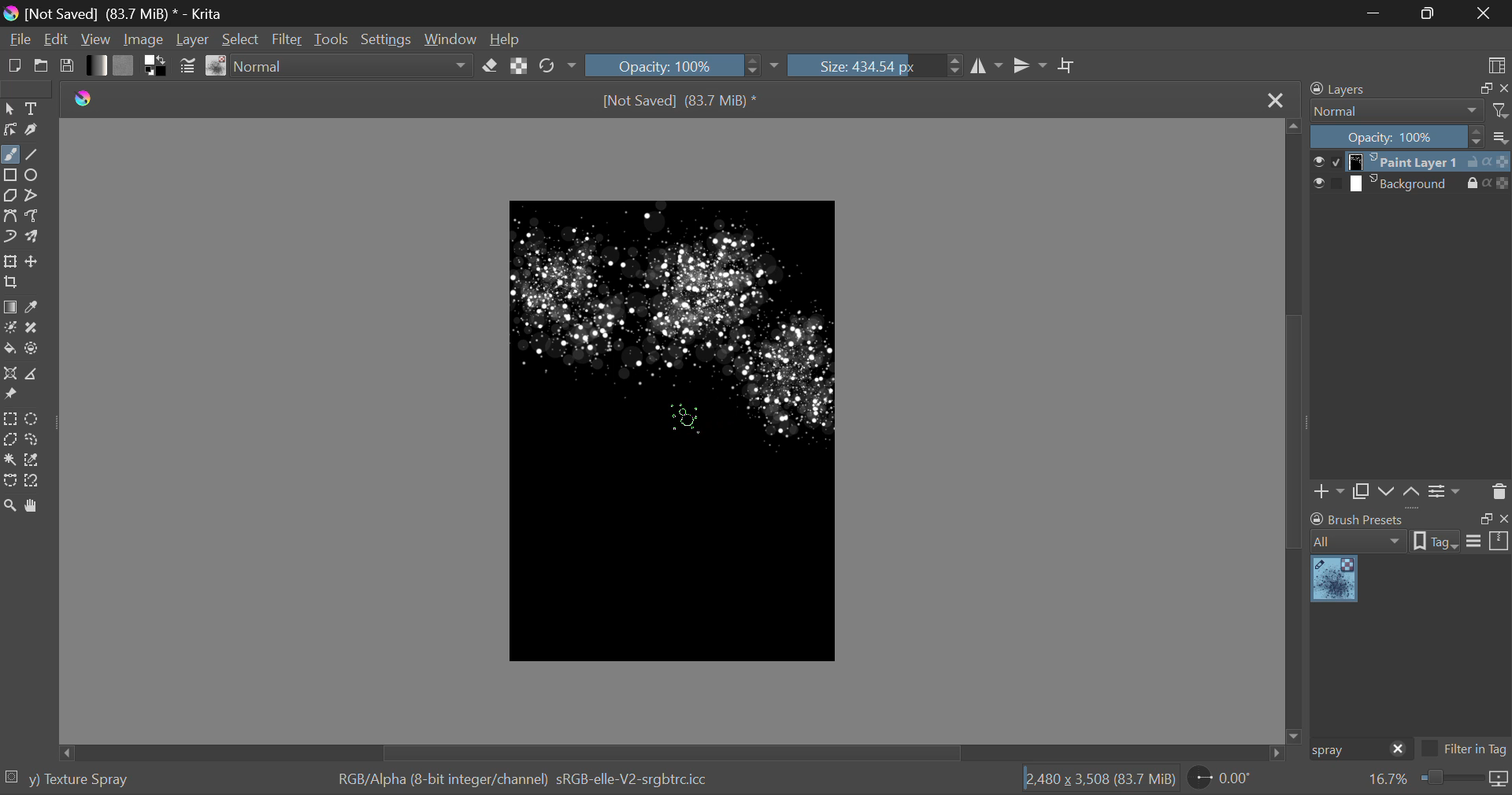  Describe the element at coordinates (1431, 12) in the screenshot. I see `Minimize` at that location.